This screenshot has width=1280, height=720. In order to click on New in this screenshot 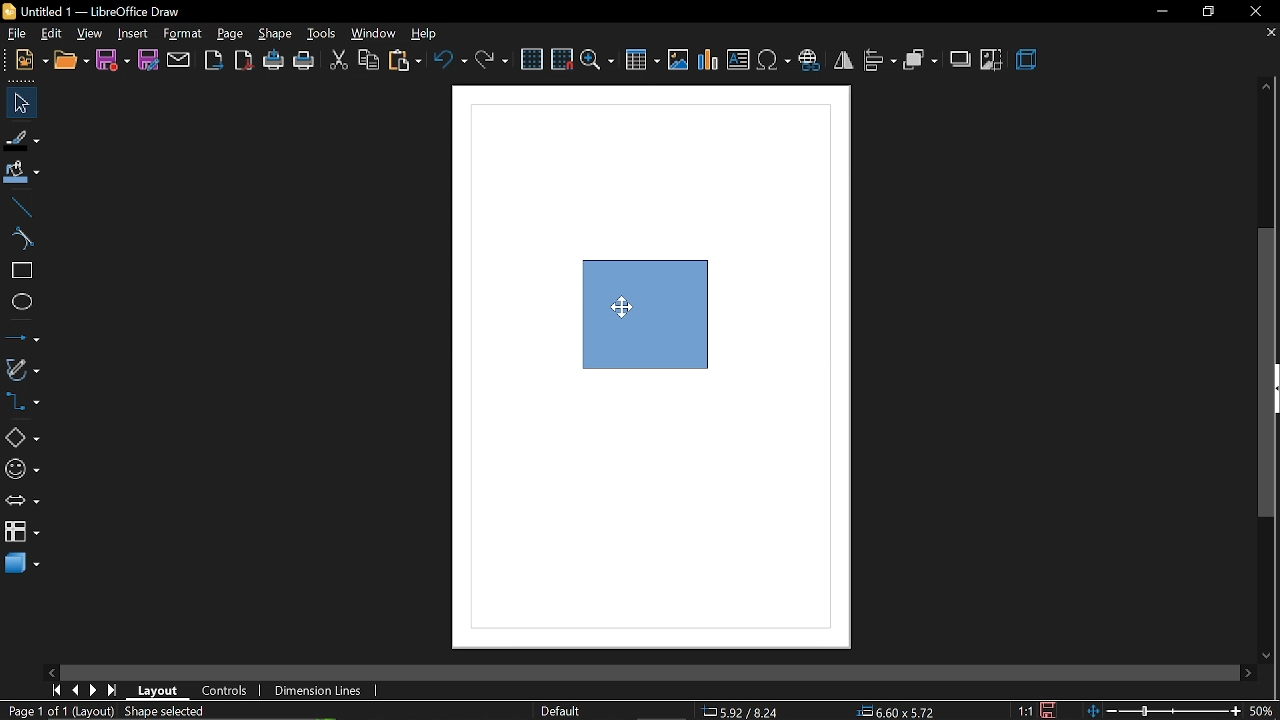, I will do `click(24, 60)`.